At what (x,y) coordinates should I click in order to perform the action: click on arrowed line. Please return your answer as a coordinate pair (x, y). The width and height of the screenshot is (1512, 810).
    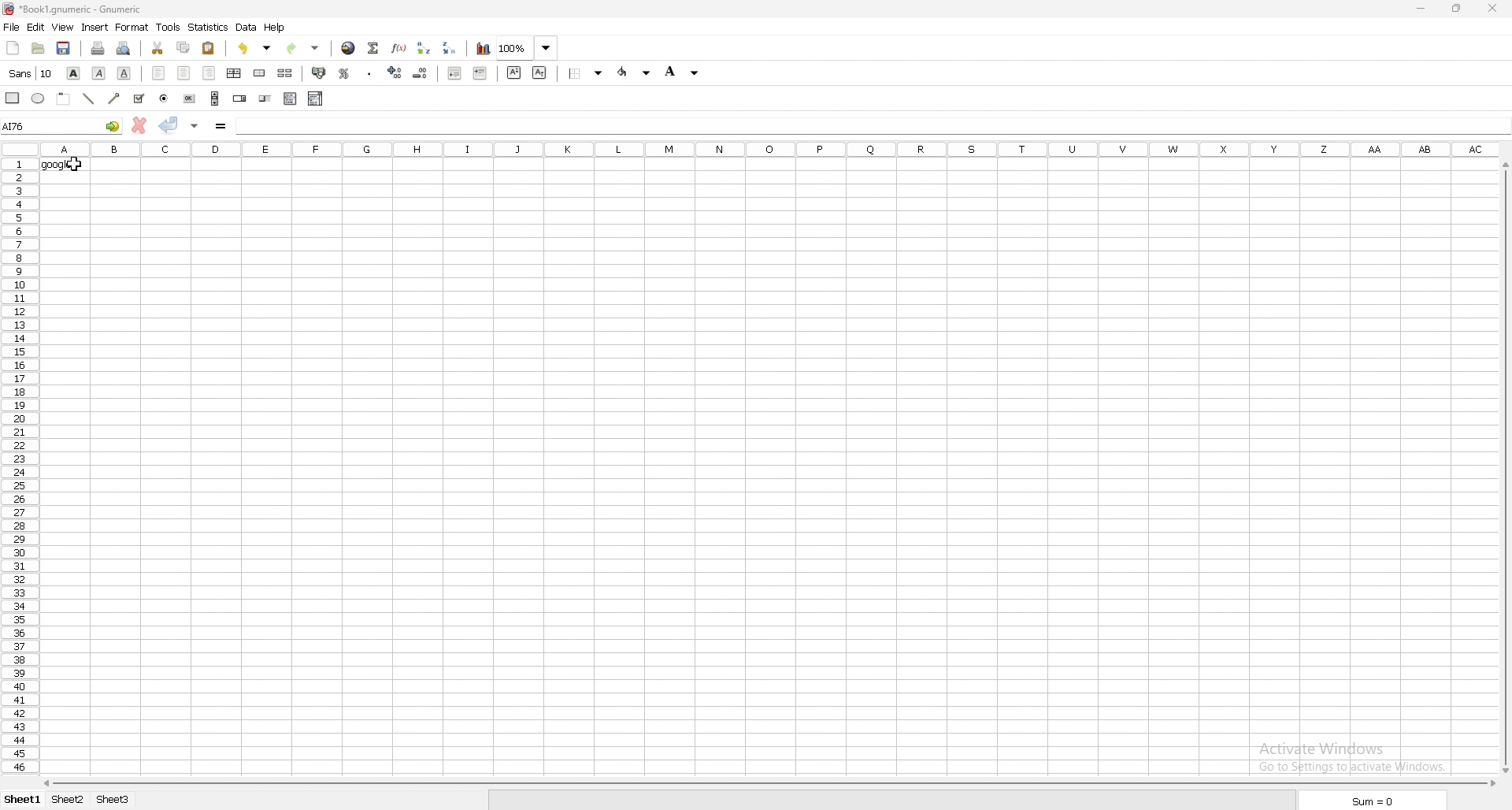
    Looking at the image, I should click on (115, 98).